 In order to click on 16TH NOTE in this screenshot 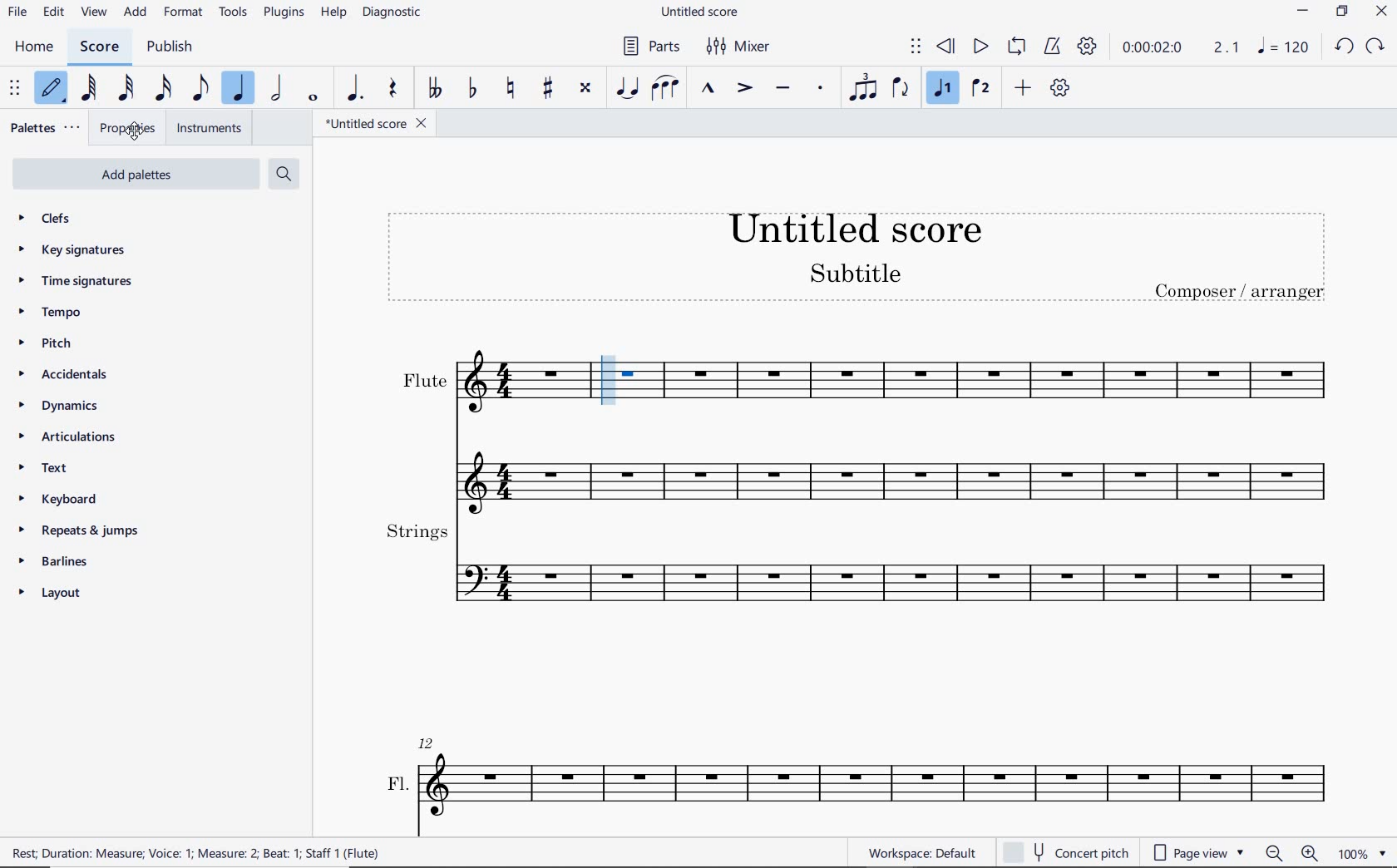, I will do `click(163, 88)`.